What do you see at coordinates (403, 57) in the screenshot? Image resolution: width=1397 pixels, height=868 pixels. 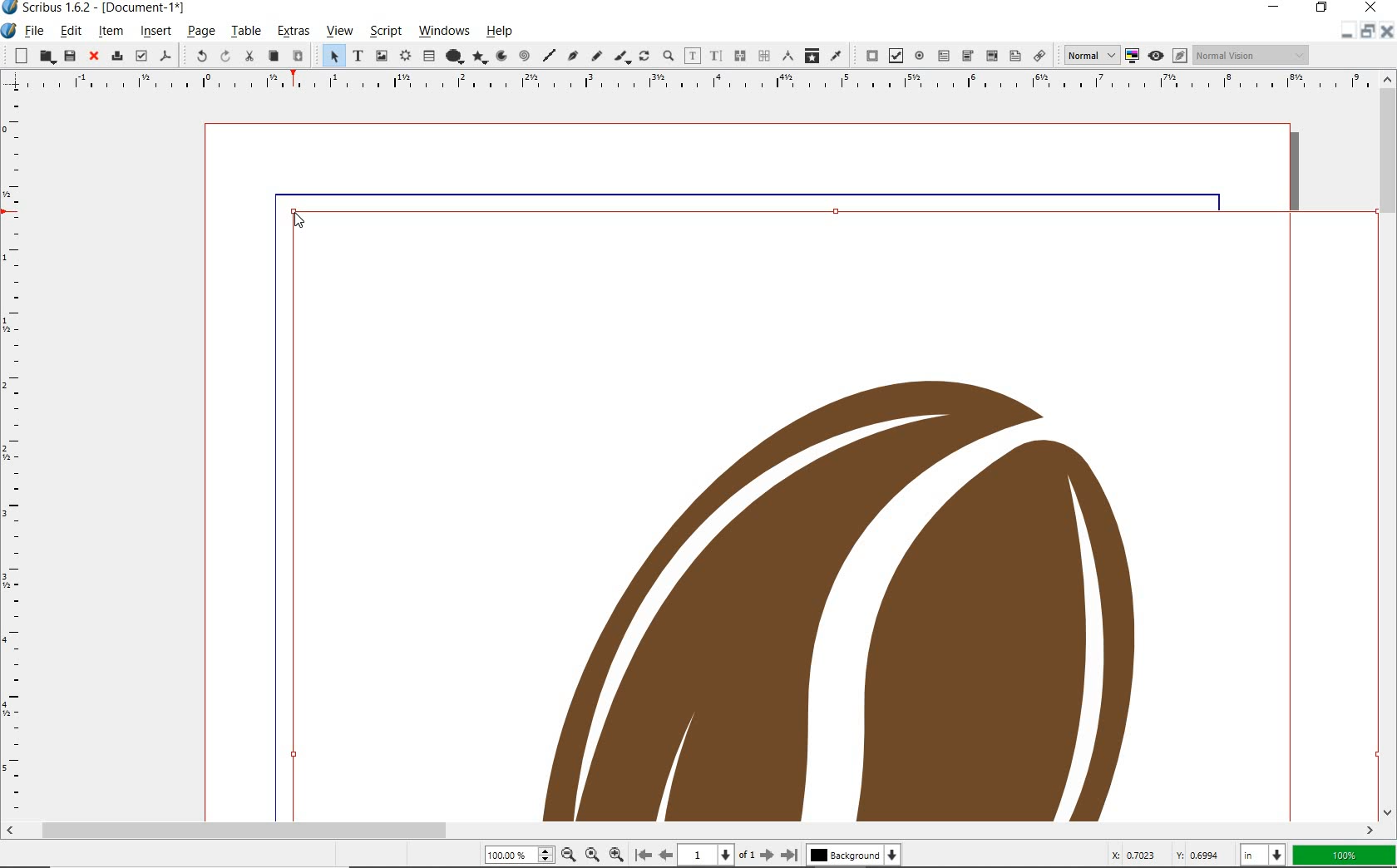 I see `render frame` at bounding box center [403, 57].